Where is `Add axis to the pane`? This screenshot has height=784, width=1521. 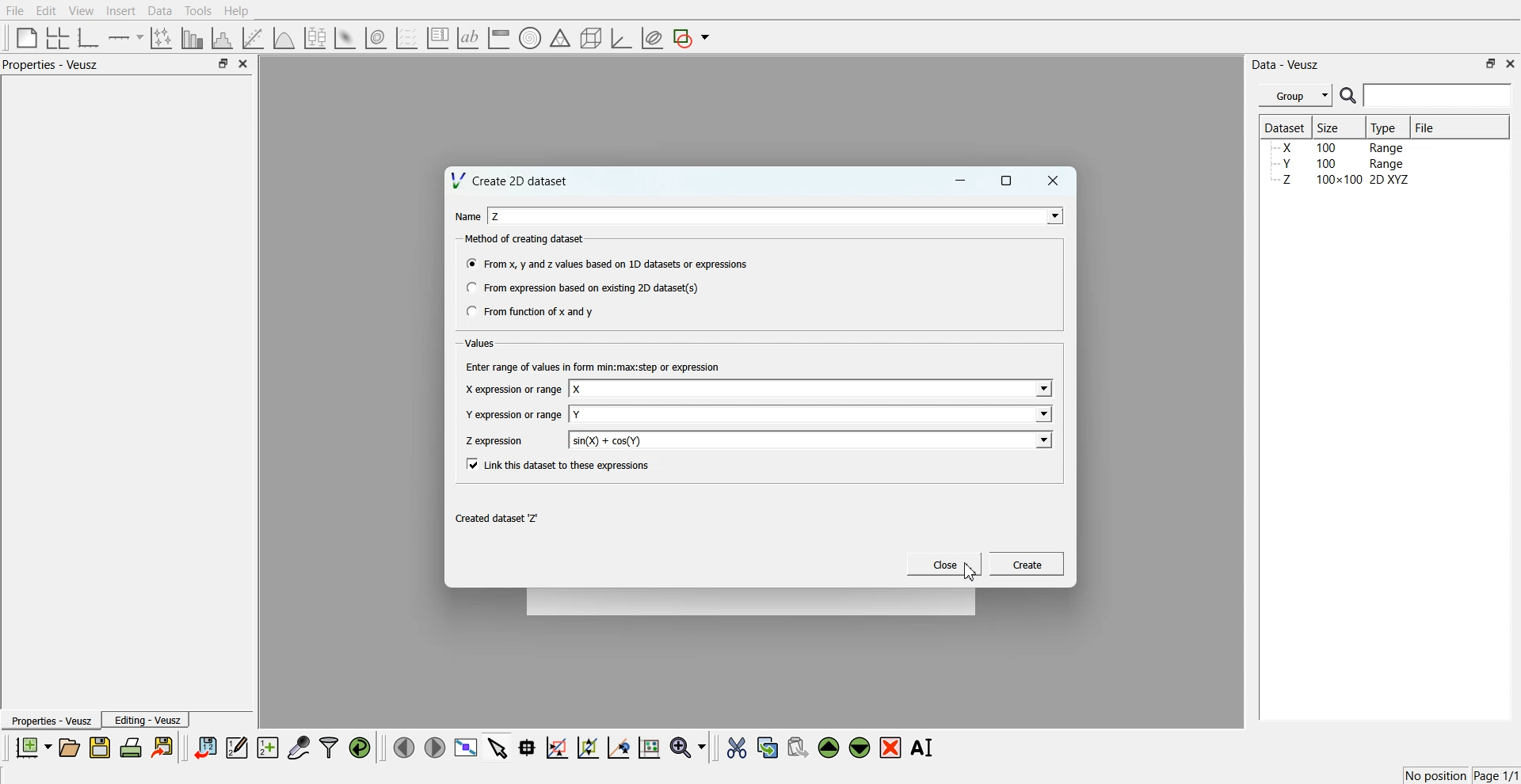
Add axis to the pane is located at coordinates (125, 39).